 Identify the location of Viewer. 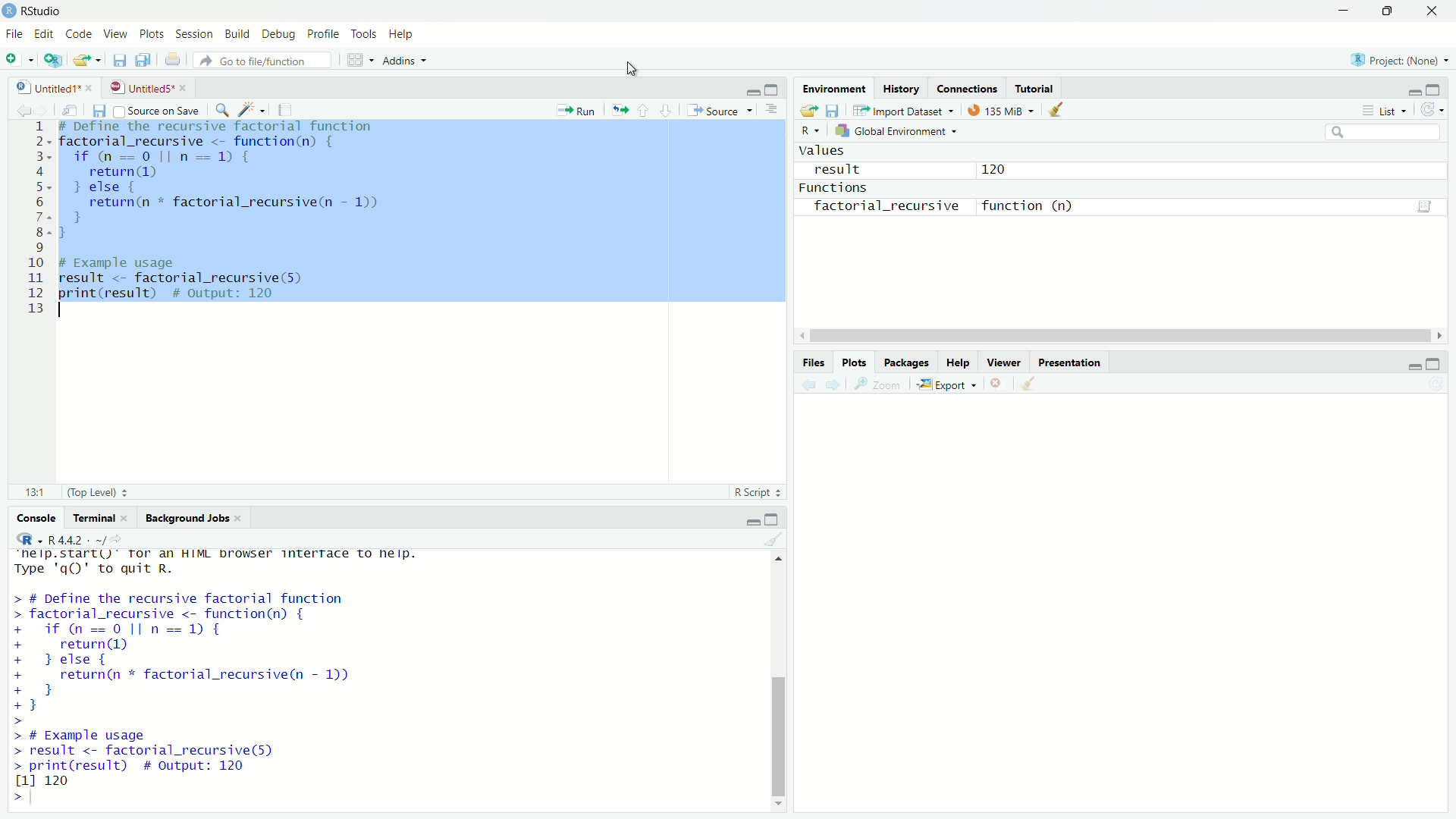
(1006, 360).